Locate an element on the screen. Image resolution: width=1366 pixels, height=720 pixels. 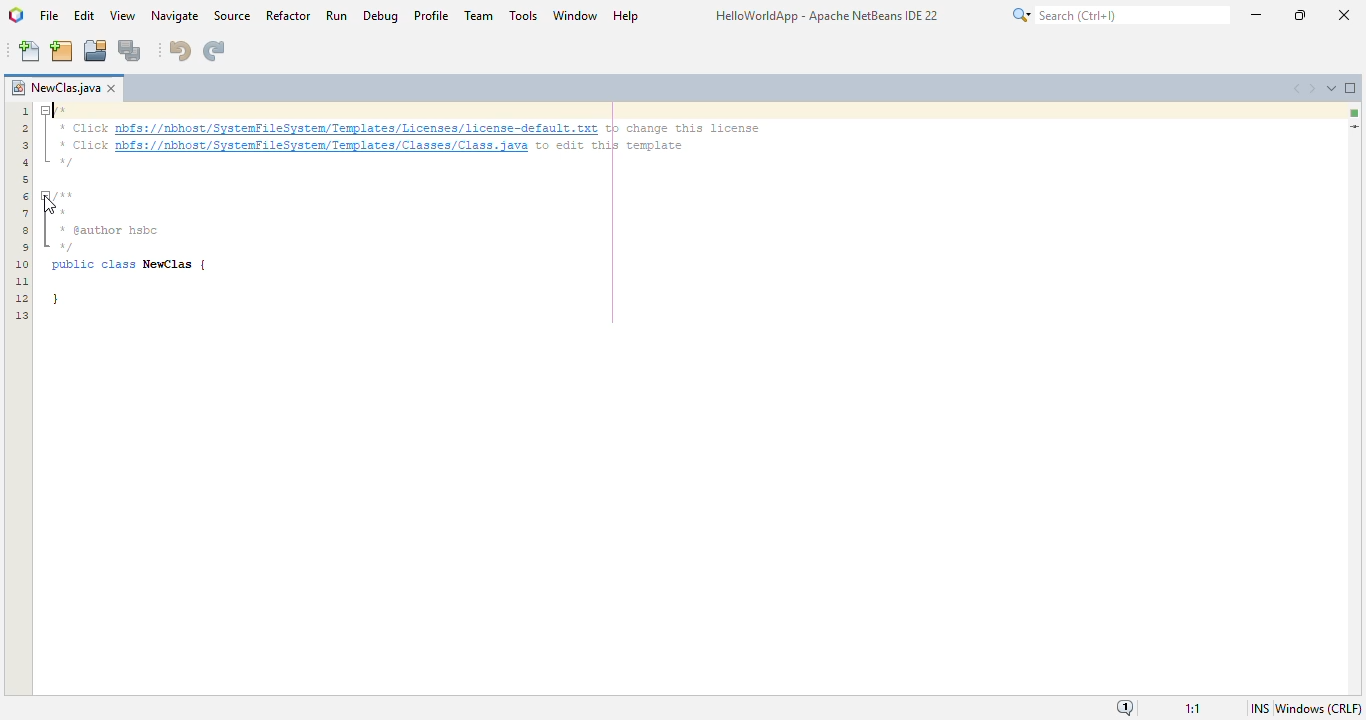
show opened documents list is located at coordinates (1330, 87).